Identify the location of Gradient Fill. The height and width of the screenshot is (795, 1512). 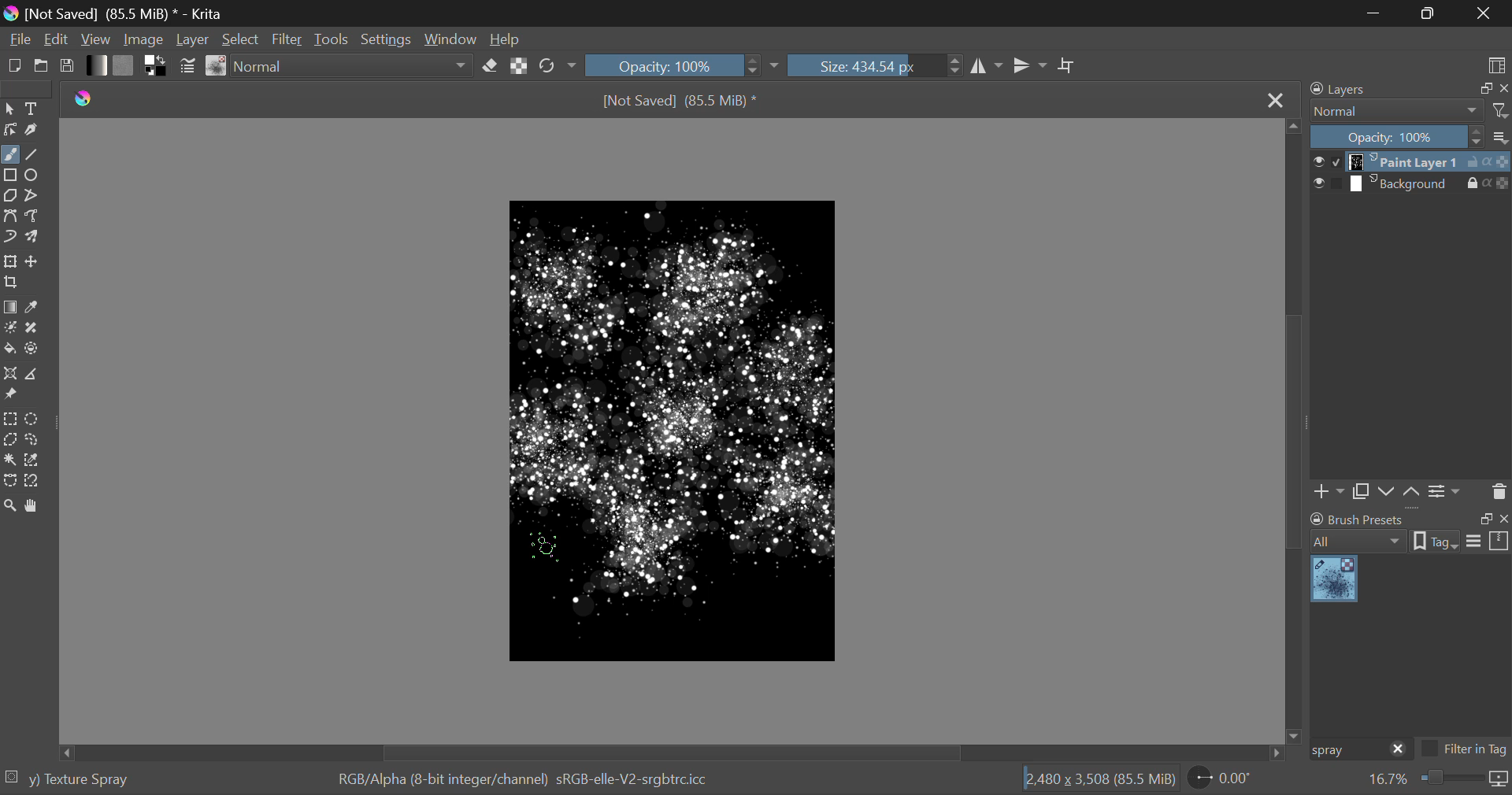
(11, 308).